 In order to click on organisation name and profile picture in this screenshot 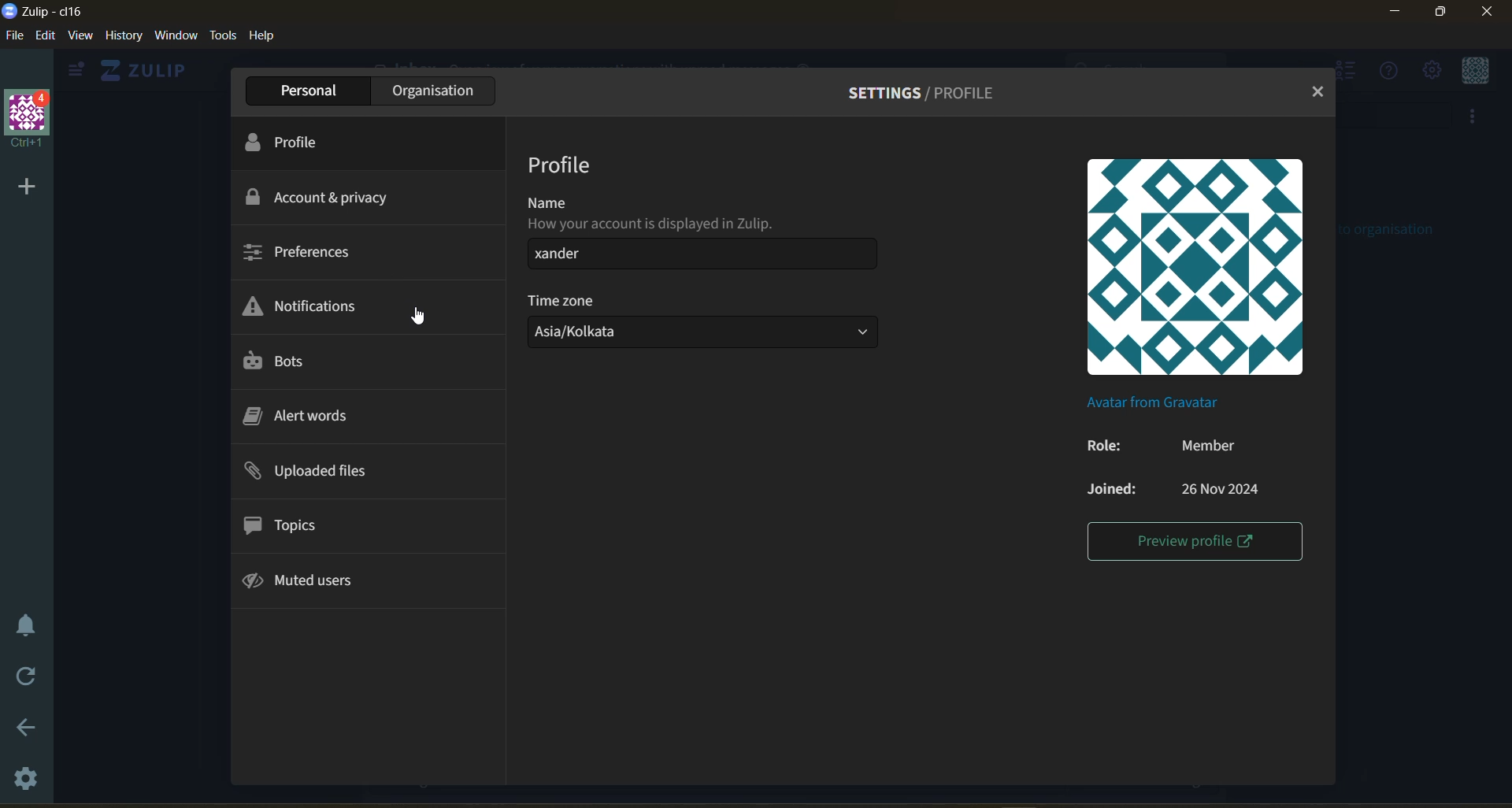, I will do `click(27, 120)`.